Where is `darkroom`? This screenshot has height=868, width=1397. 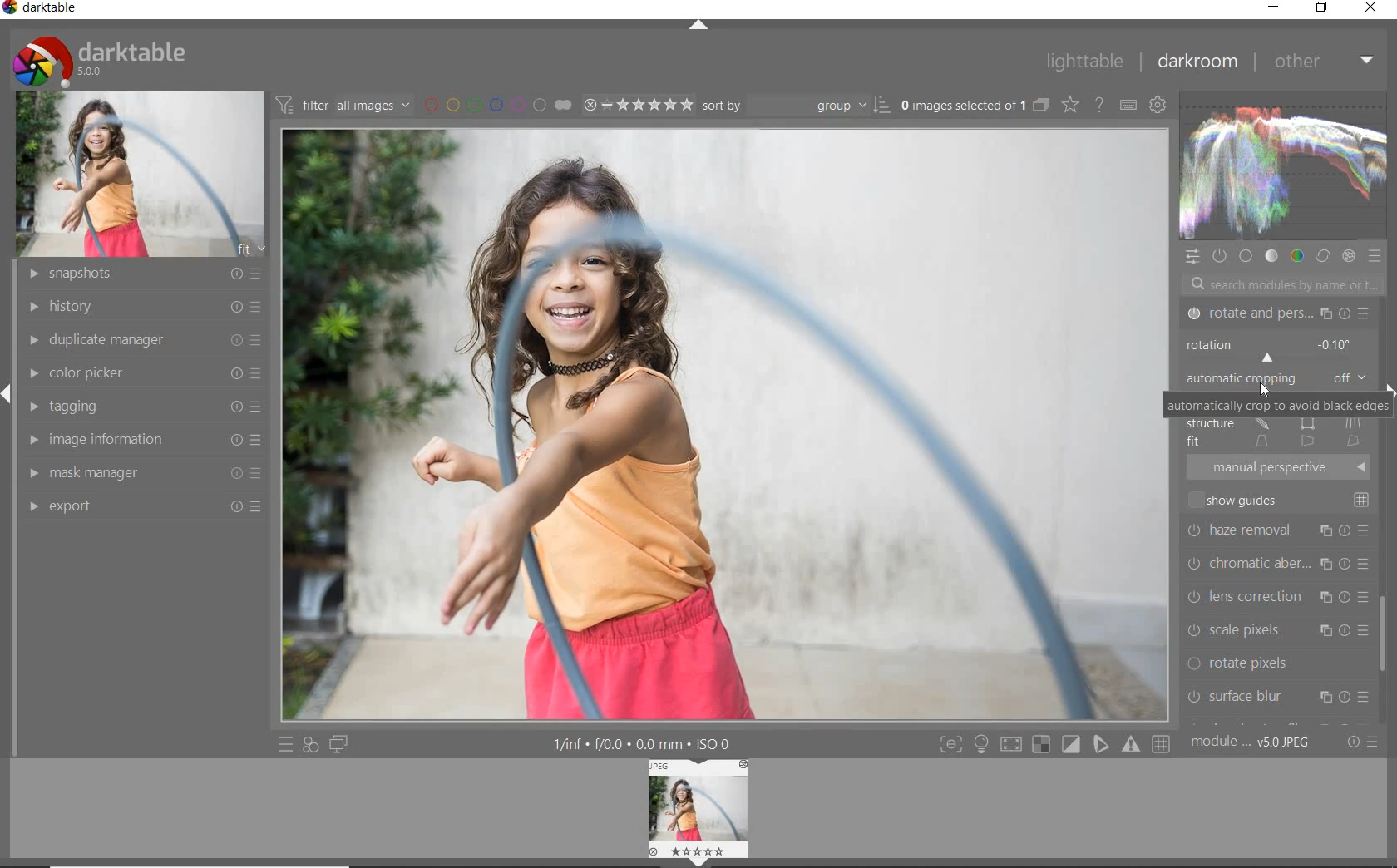 darkroom is located at coordinates (1198, 60).